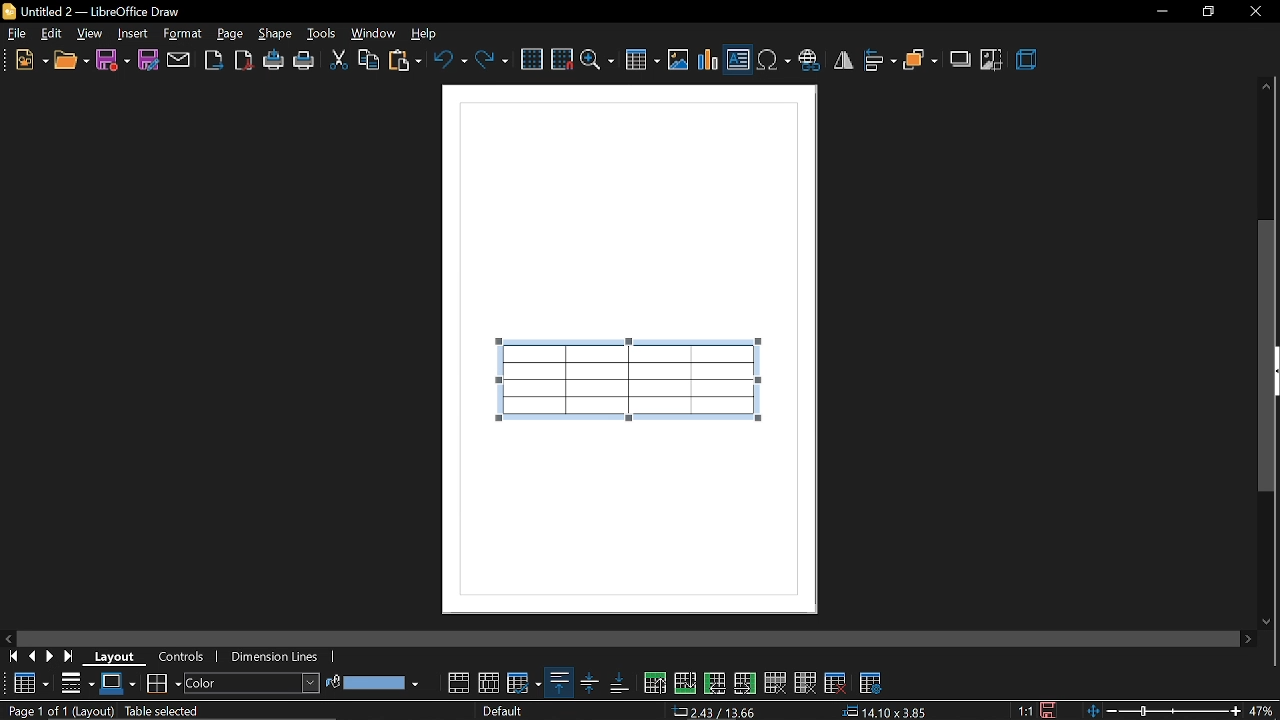 This screenshot has height=720, width=1280. Describe the element at coordinates (383, 682) in the screenshot. I see `fill color` at that location.